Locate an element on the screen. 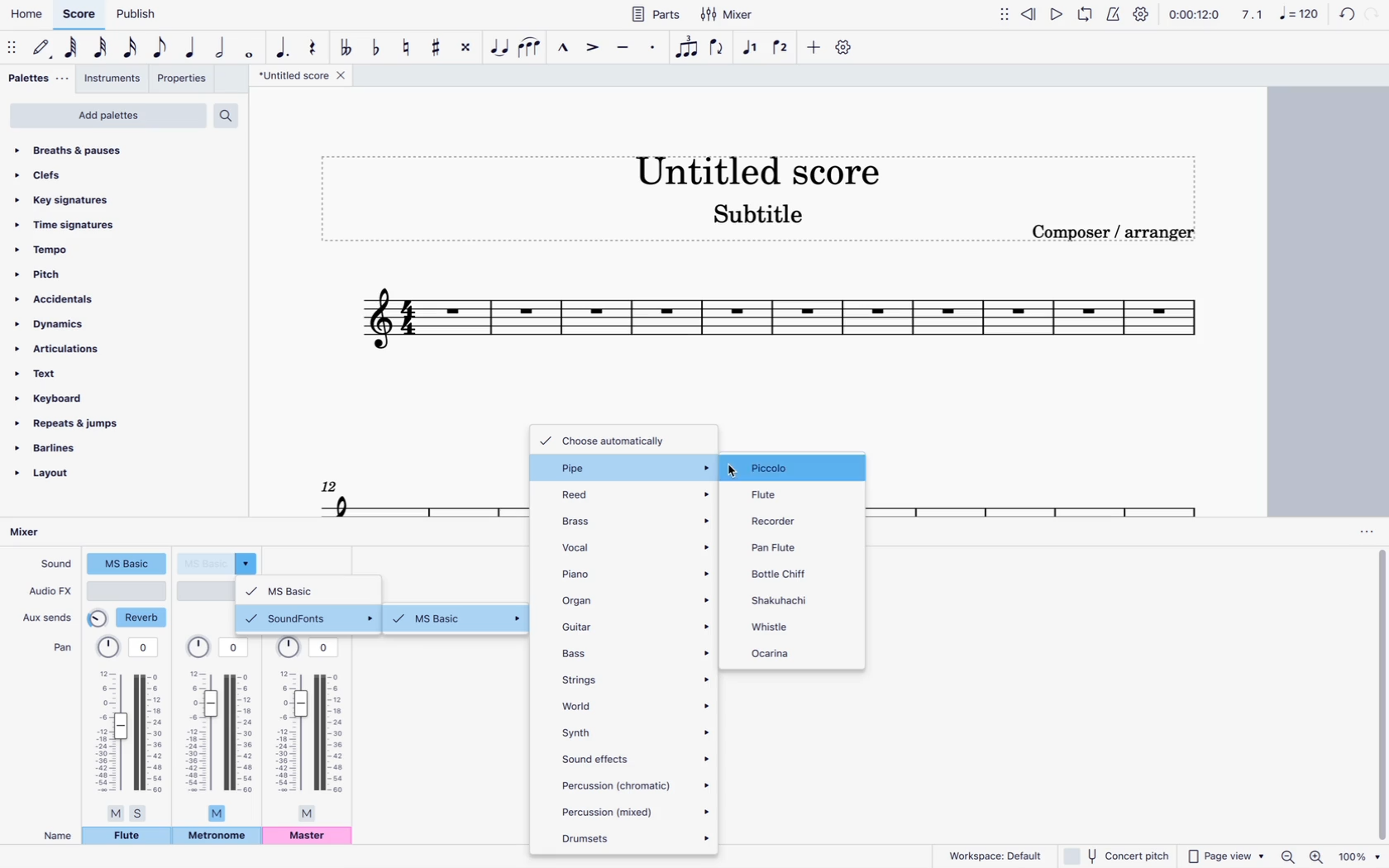 The height and width of the screenshot is (868, 1389). metronome is located at coordinates (1116, 14).